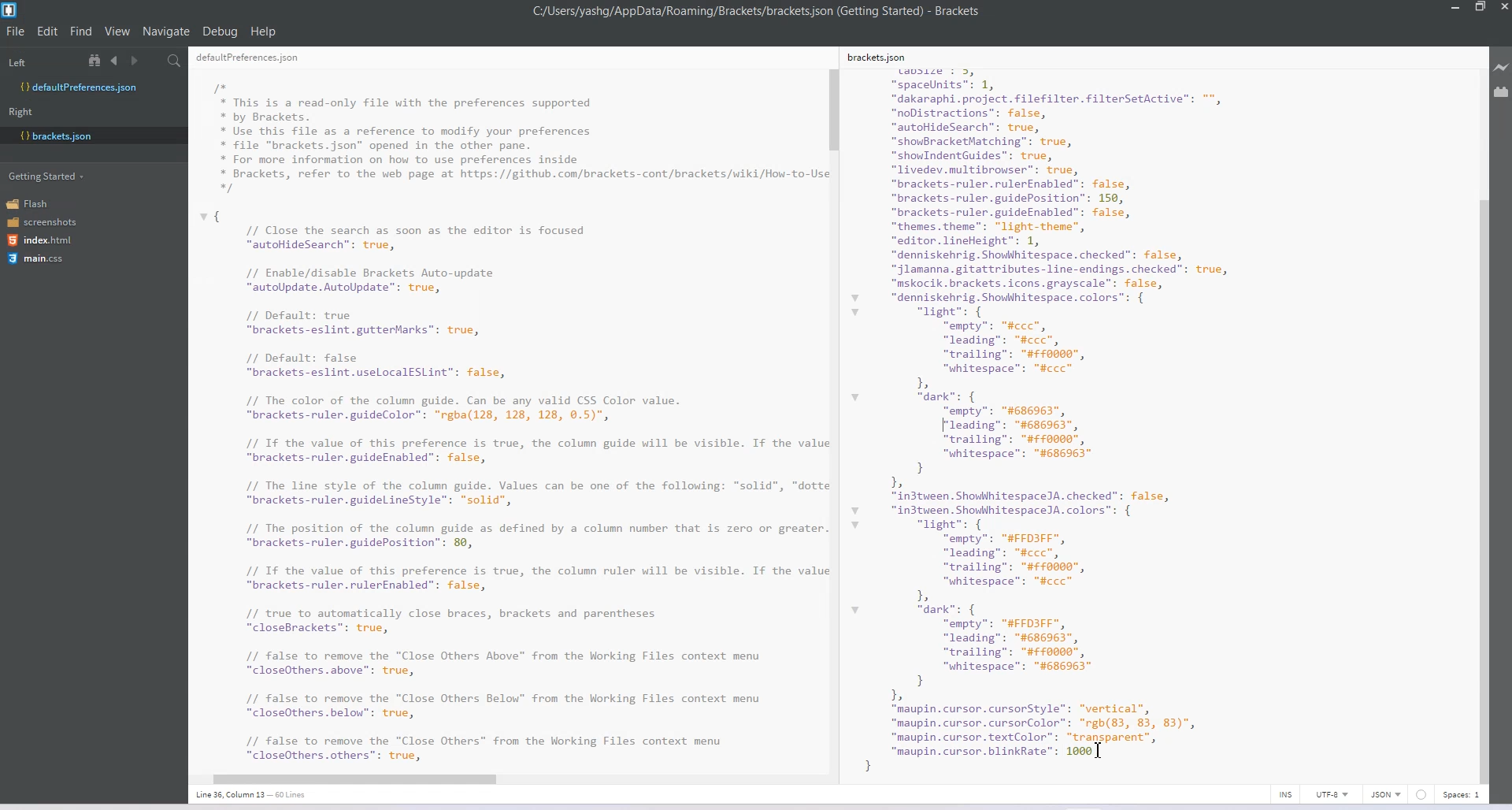  What do you see at coordinates (168, 32) in the screenshot?
I see `Navigate` at bounding box center [168, 32].